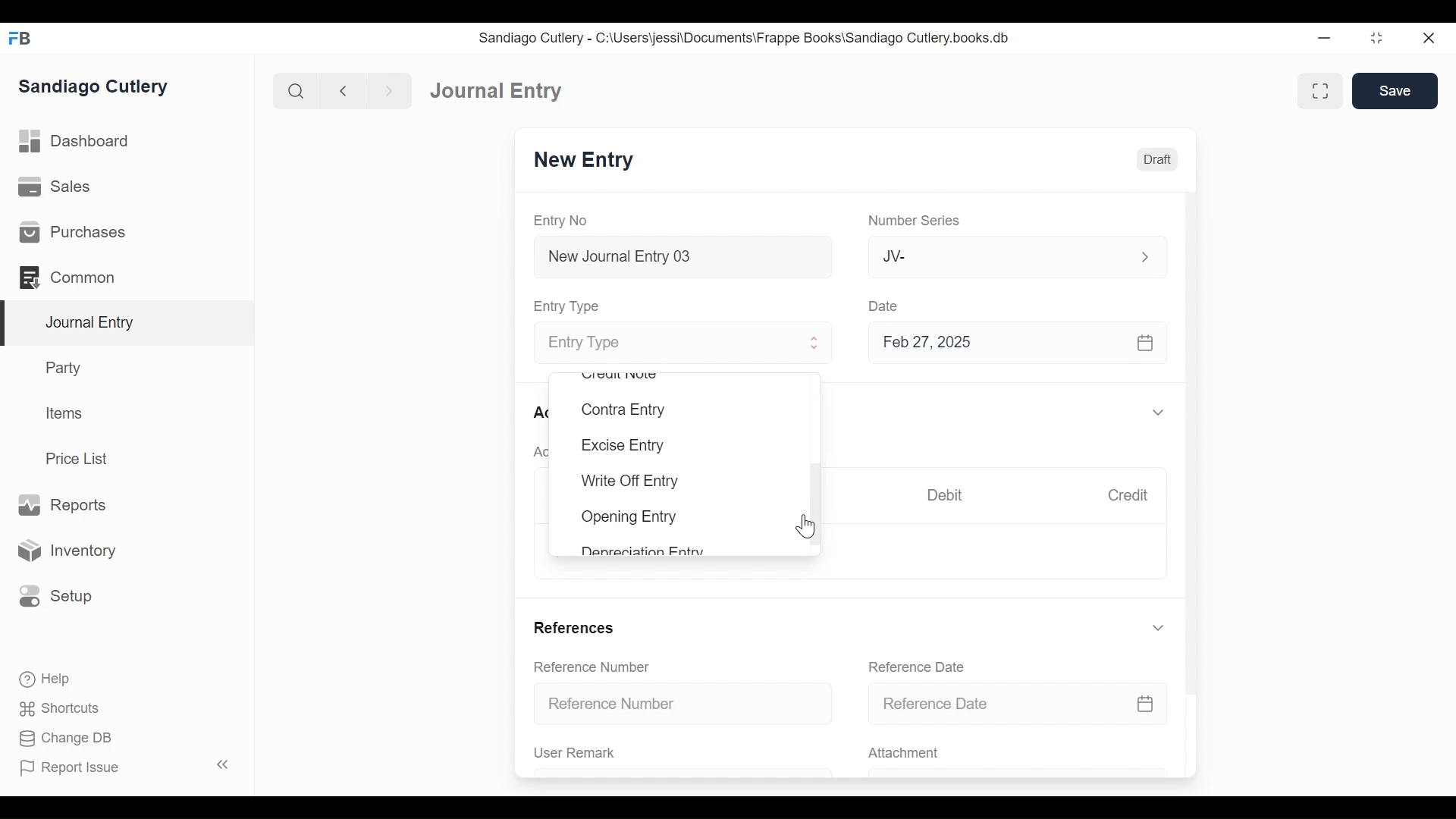 The width and height of the screenshot is (1456, 819). I want to click on Reports, so click(67, 505).